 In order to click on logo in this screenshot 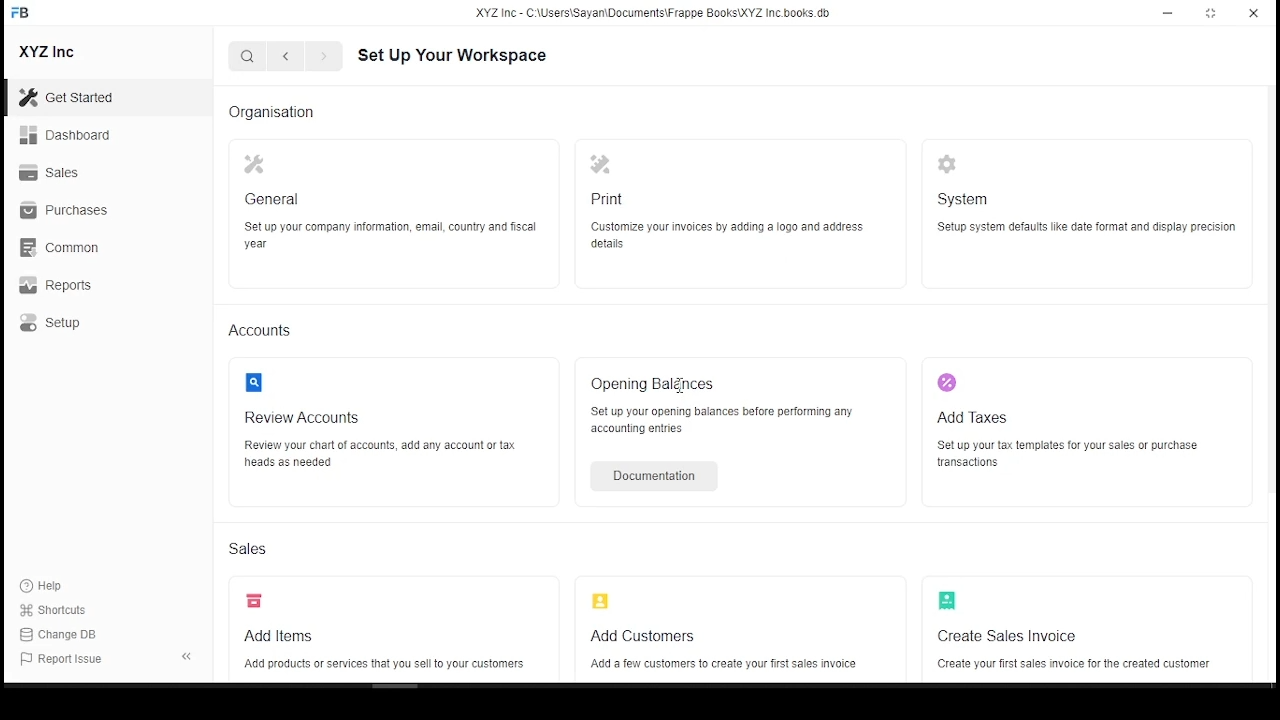, I will do `click(255, 601)`.